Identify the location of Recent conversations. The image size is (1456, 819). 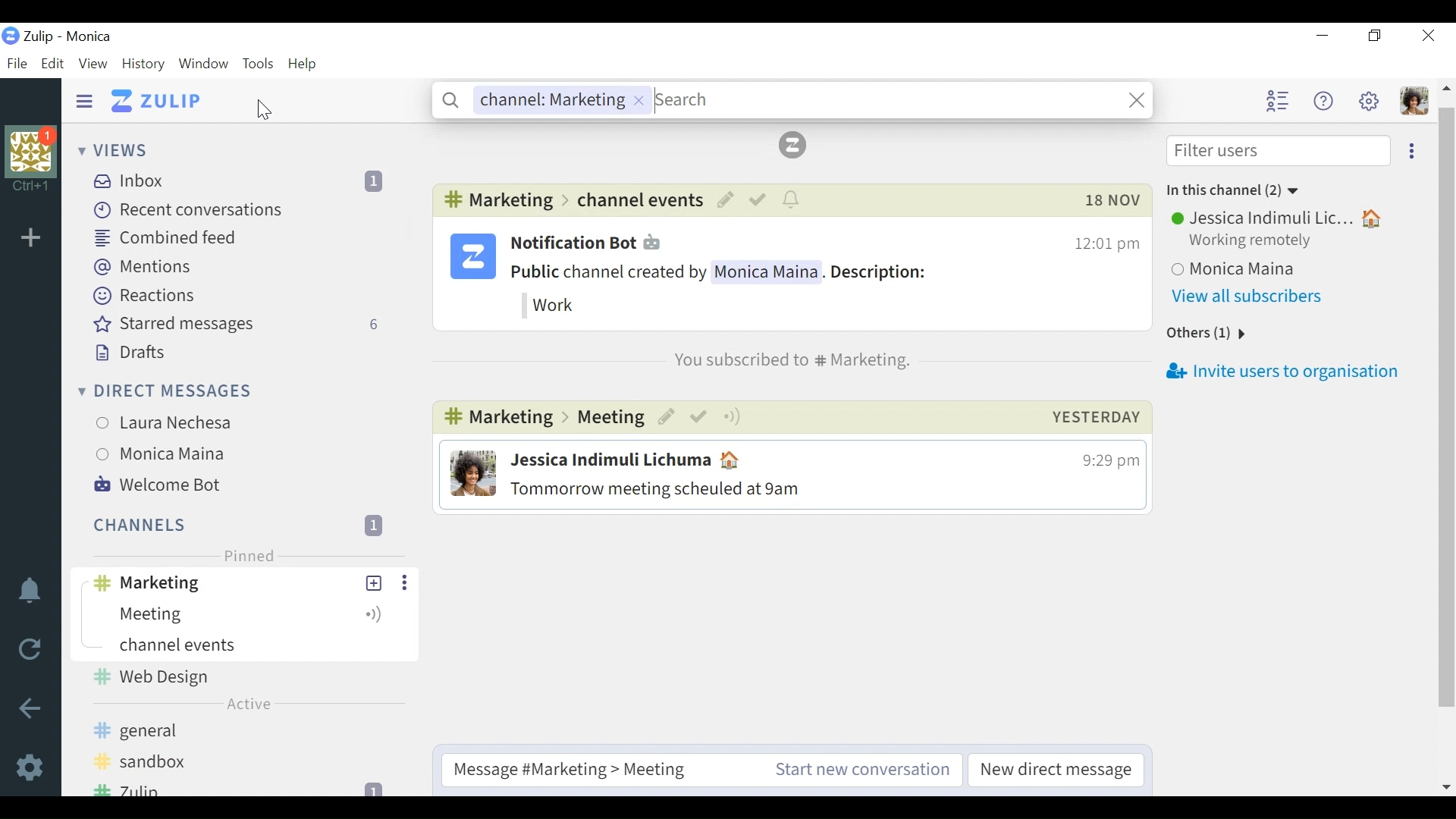
(186, 211).